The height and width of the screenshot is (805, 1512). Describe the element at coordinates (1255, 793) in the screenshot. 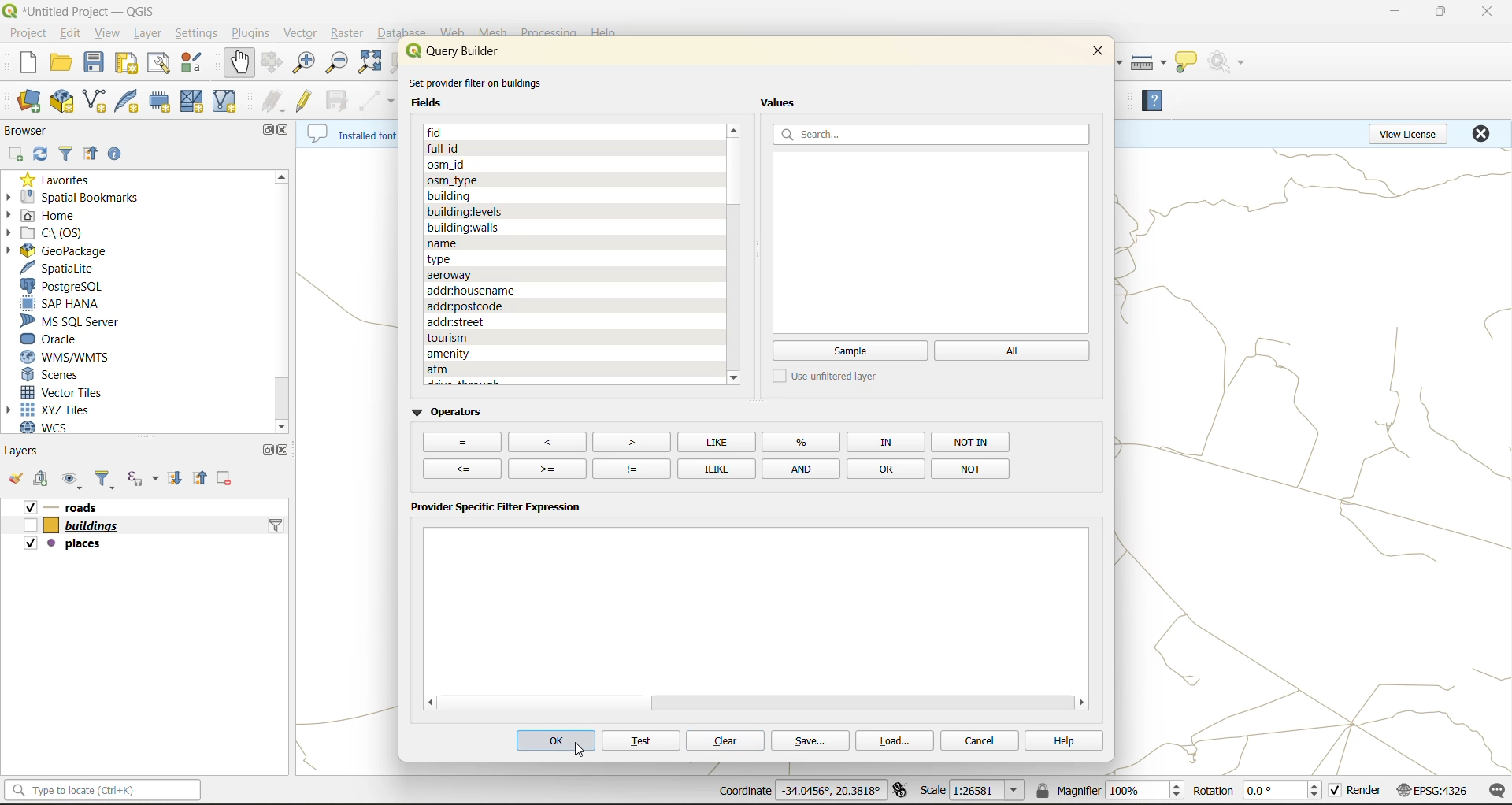

I see `rotation` at that location.